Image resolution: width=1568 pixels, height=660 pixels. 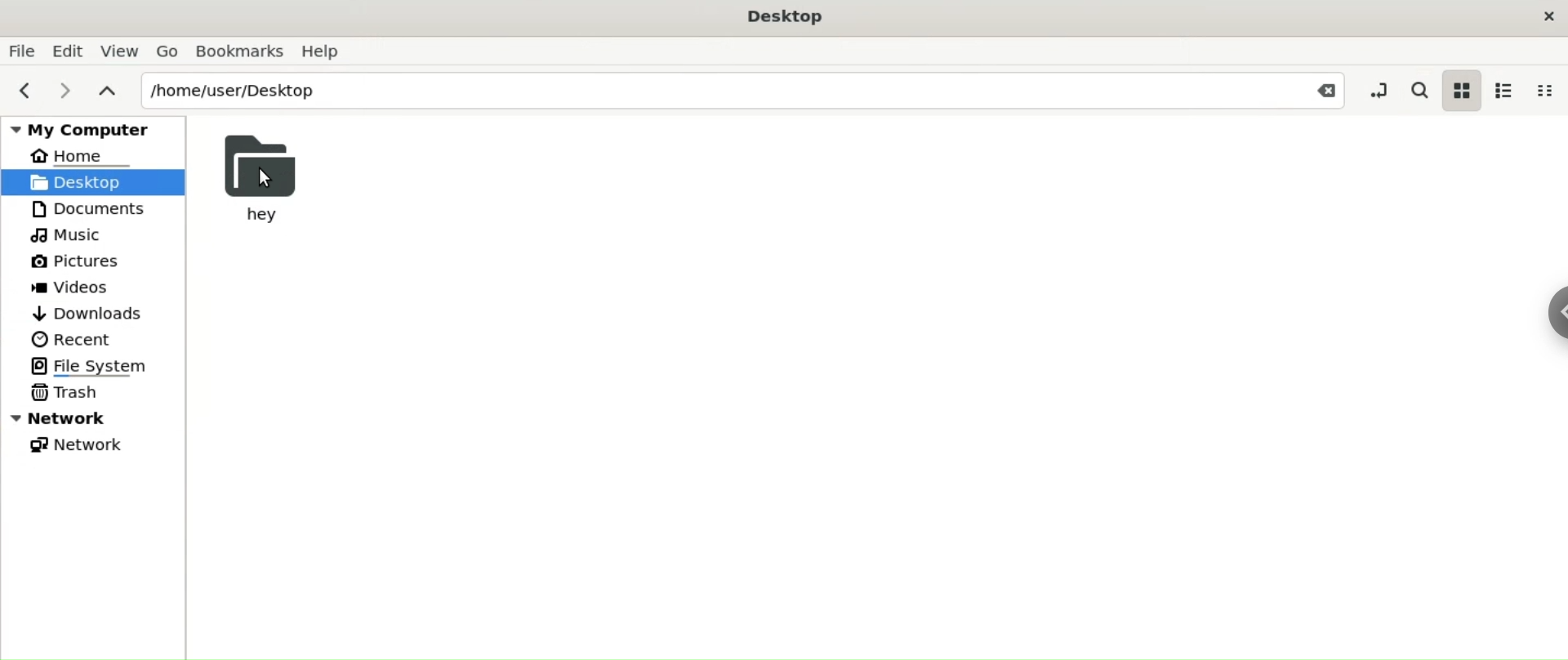 I want to click on icon view, so click(x=1462, y=91).